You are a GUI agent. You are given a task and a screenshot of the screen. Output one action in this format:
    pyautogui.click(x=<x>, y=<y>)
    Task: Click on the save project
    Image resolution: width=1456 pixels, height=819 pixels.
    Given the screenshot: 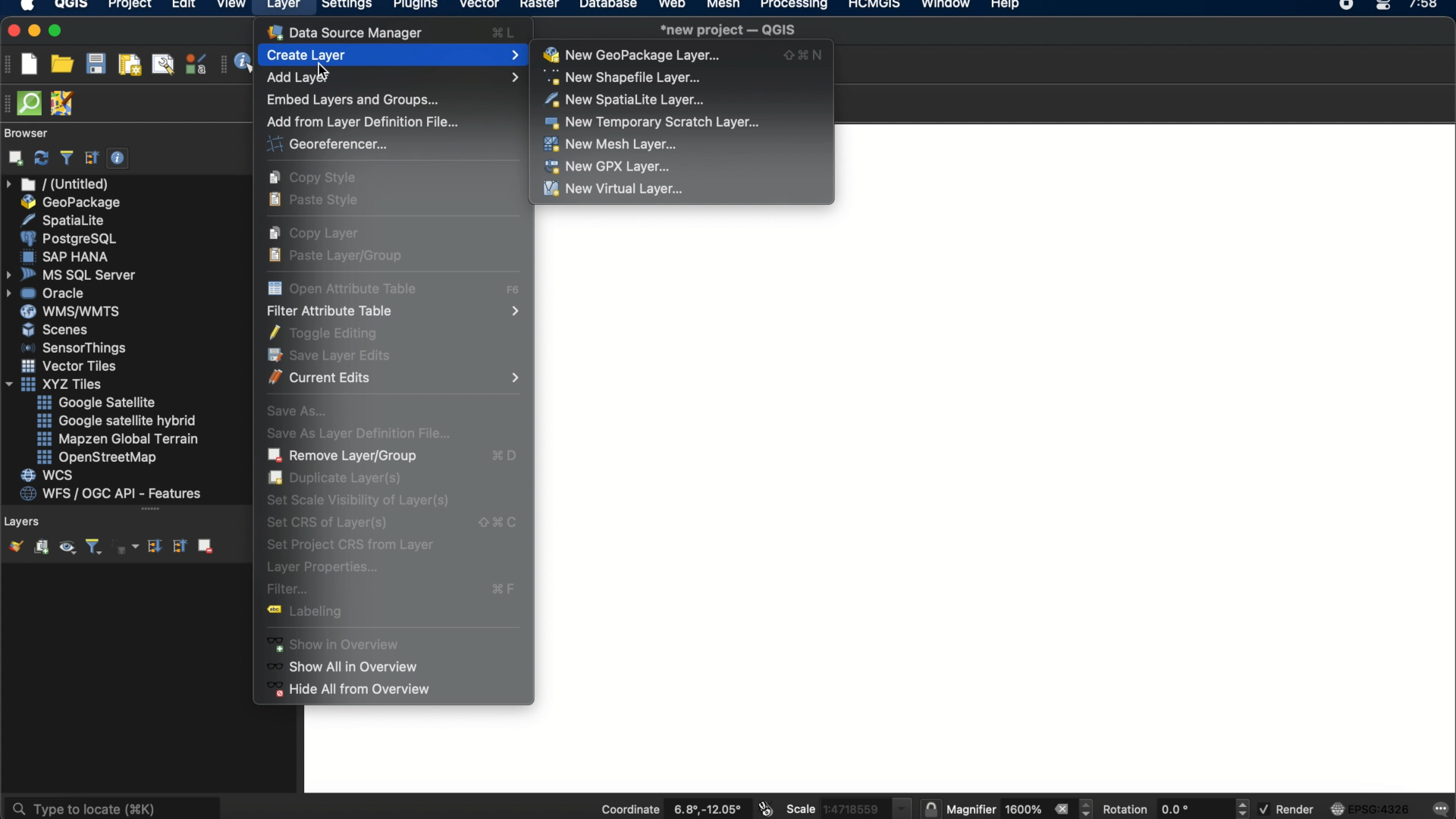 What is the action you would take?
    pyautogui.click(x=95, y=64)
    